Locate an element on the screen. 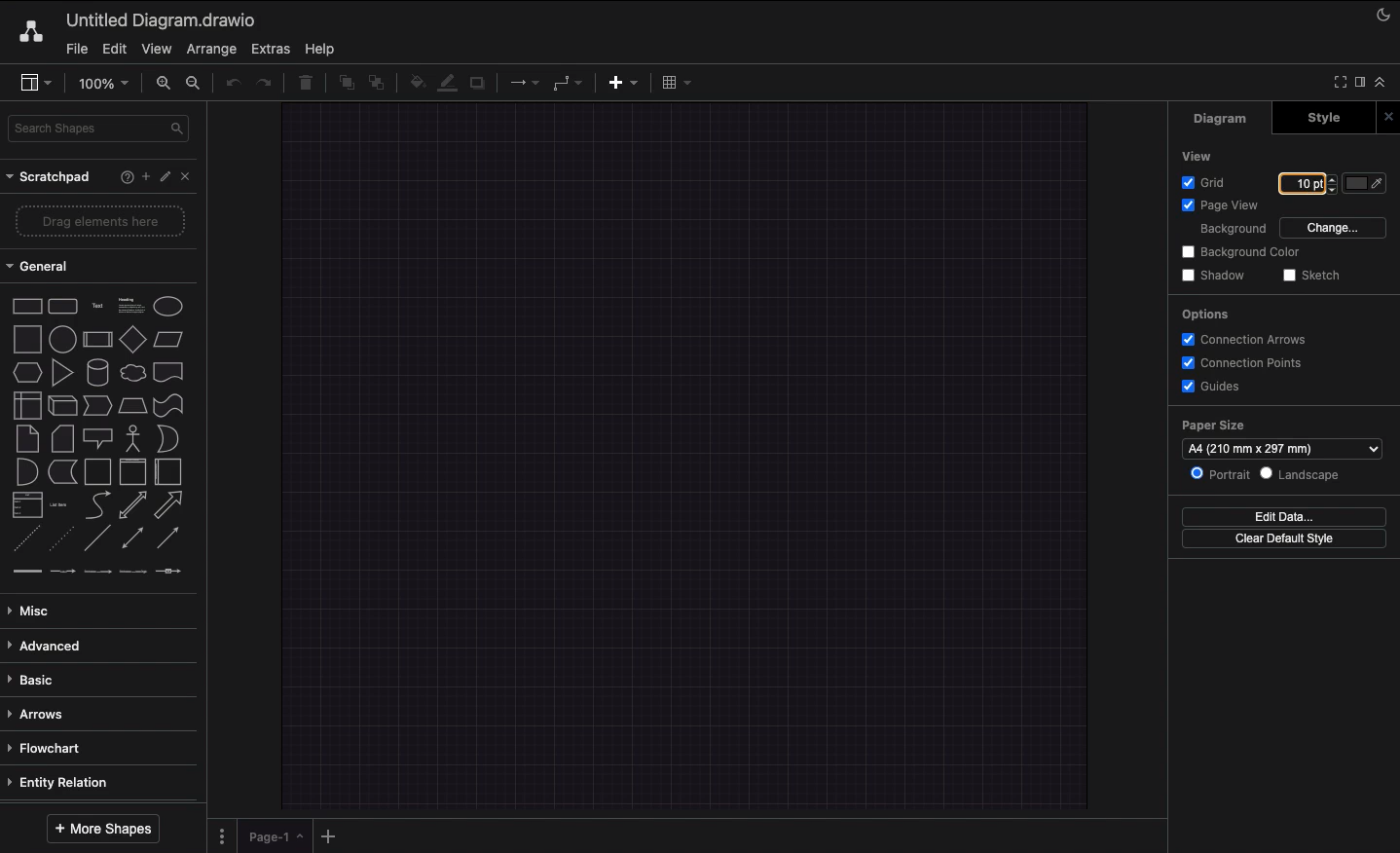 The height and width of the screenshot is (853, 1400). Guides is located at coordinates (1215, 387).